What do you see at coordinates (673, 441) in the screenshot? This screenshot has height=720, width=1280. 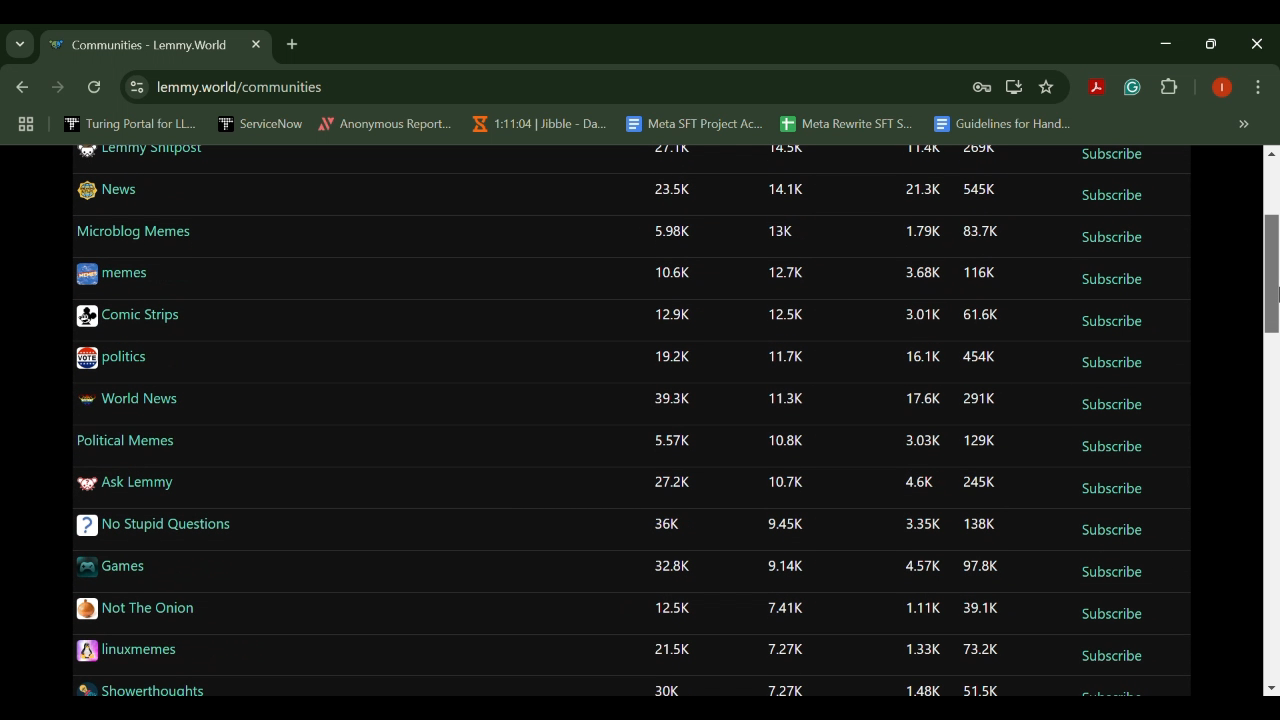 I see `5.57K` at bounding box center [673, 441].